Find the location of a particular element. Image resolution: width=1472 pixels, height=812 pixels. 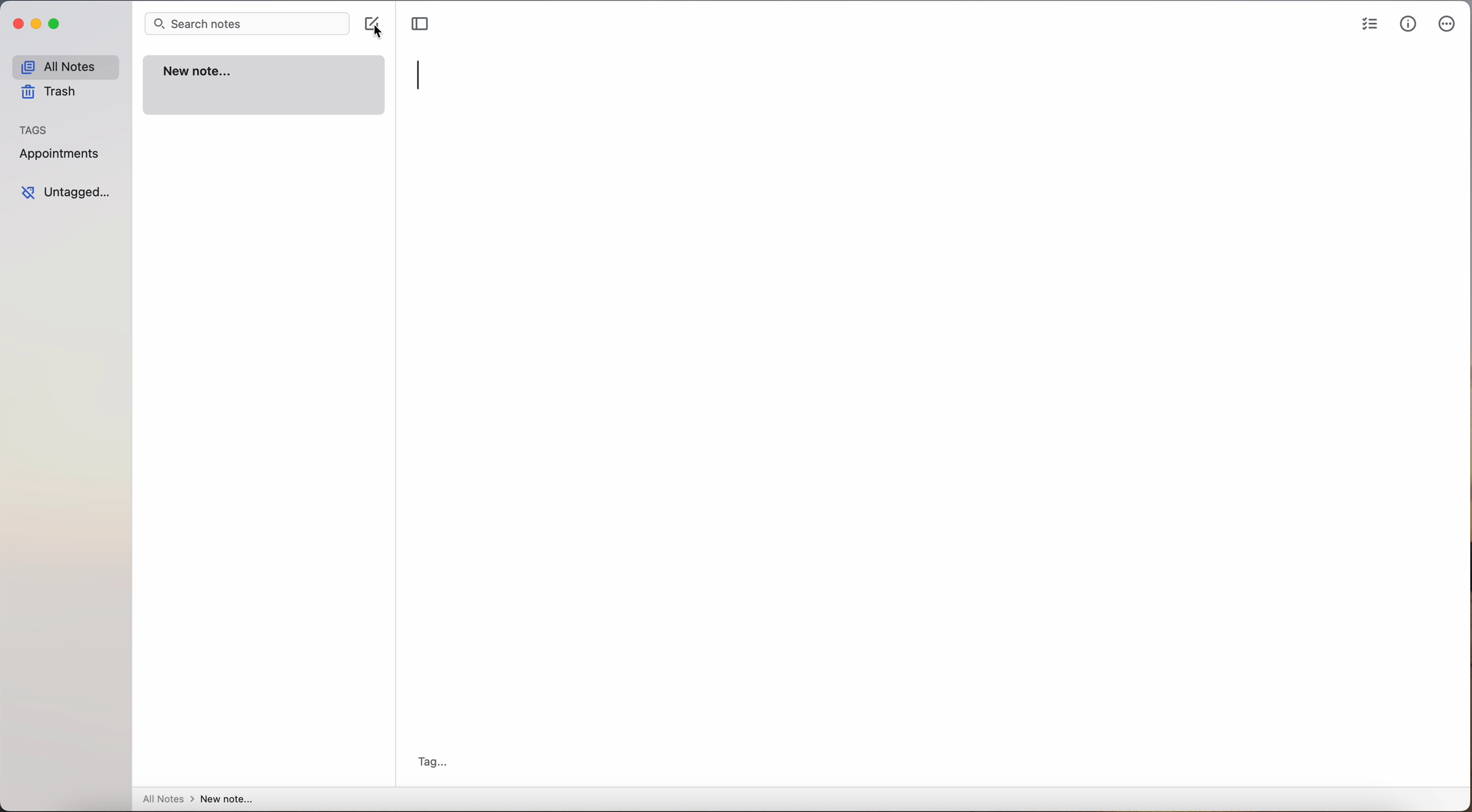

close app is located at coordinates (17, 25).